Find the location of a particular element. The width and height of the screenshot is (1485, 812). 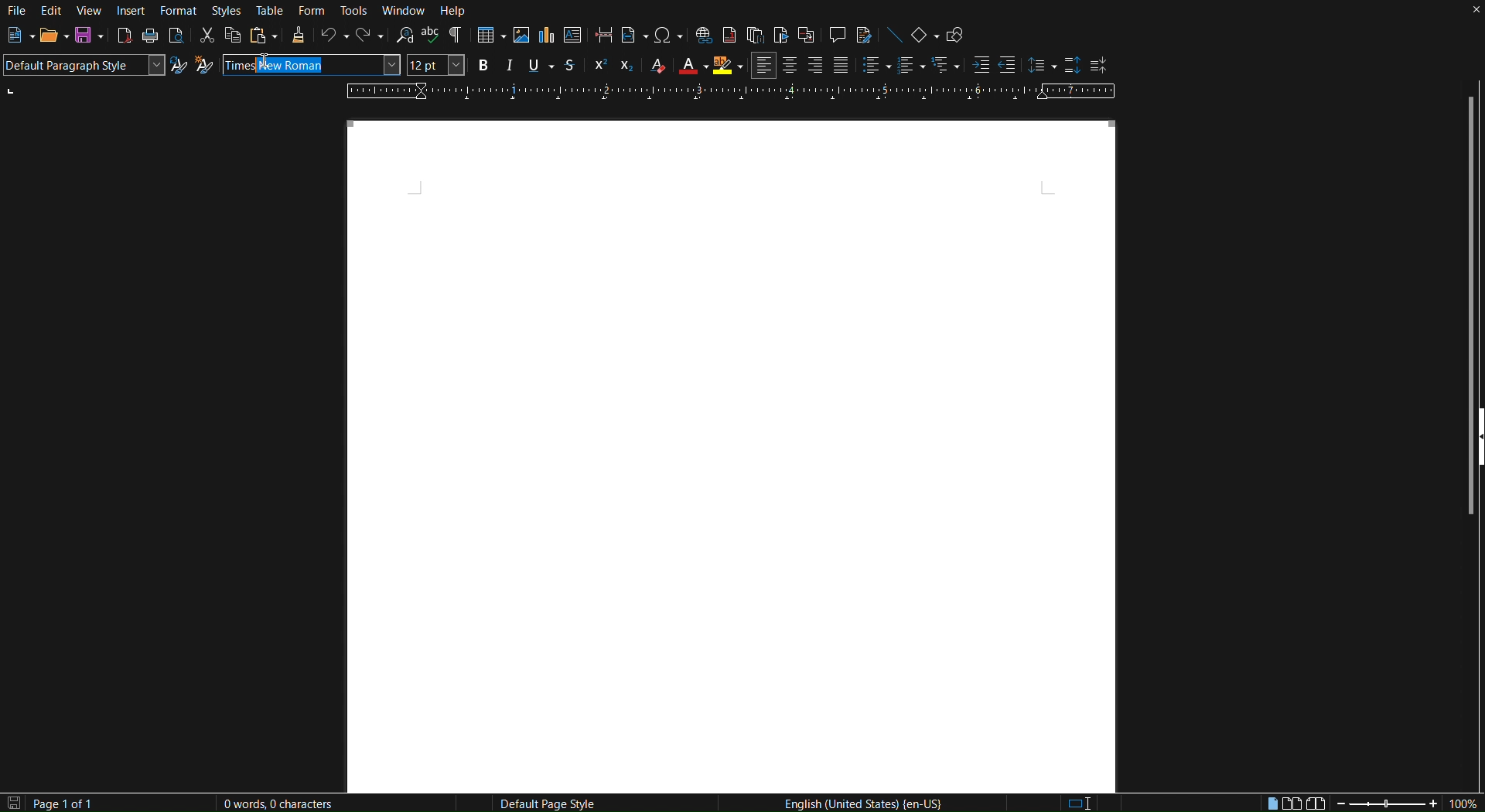

Insert Special Characters is located at coordinates (667, 37).